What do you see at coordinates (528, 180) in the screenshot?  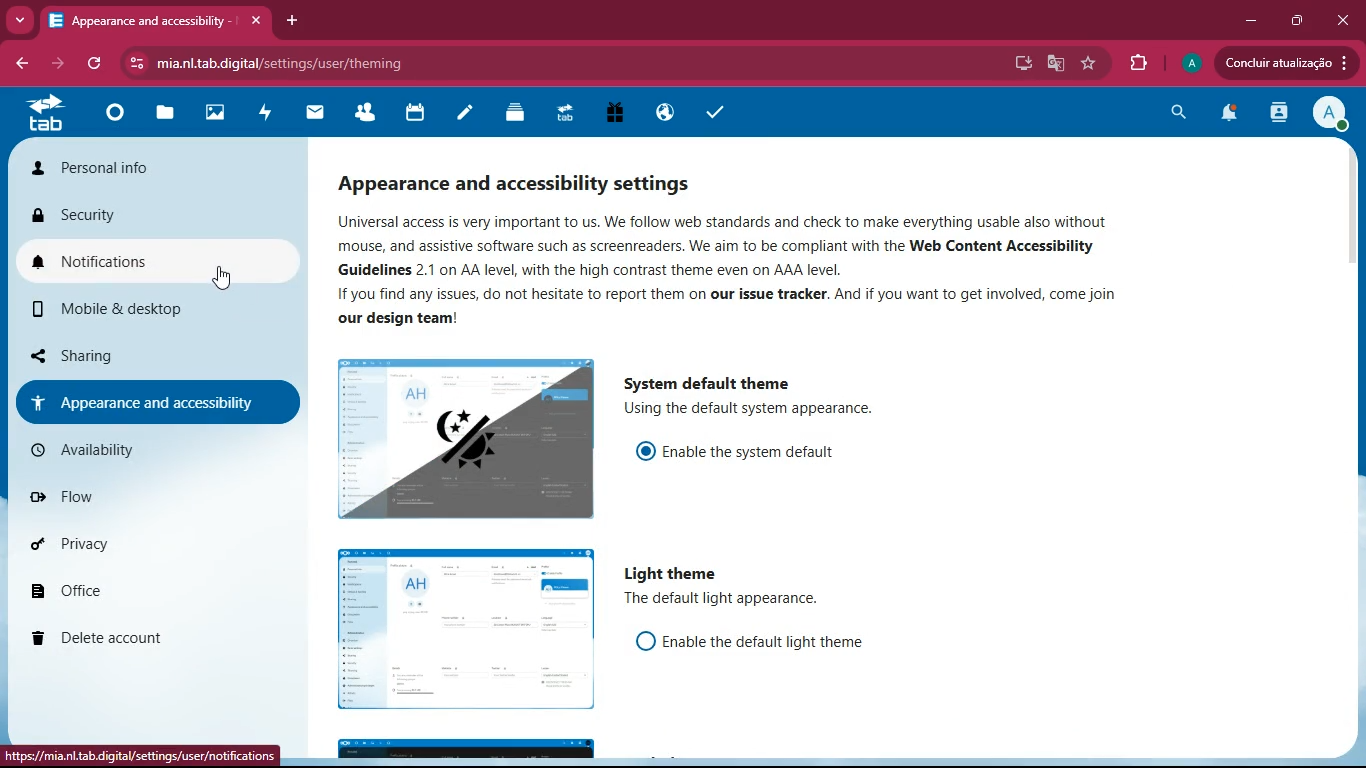 I see `appearance and accessibility settings` at bounding box center [528, 180].